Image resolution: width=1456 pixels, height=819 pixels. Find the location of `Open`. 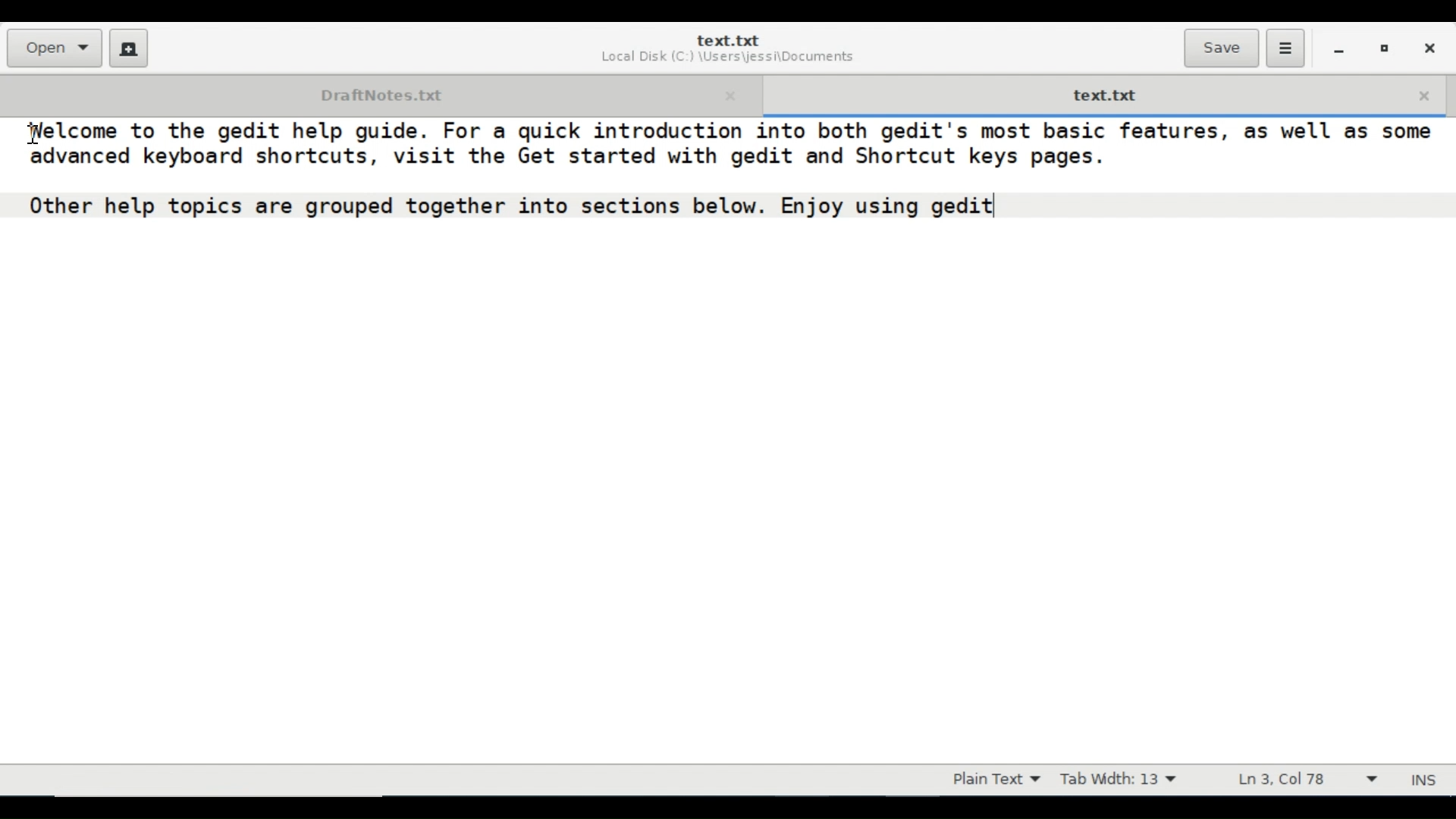

Open is located at coordinates (53, 48).